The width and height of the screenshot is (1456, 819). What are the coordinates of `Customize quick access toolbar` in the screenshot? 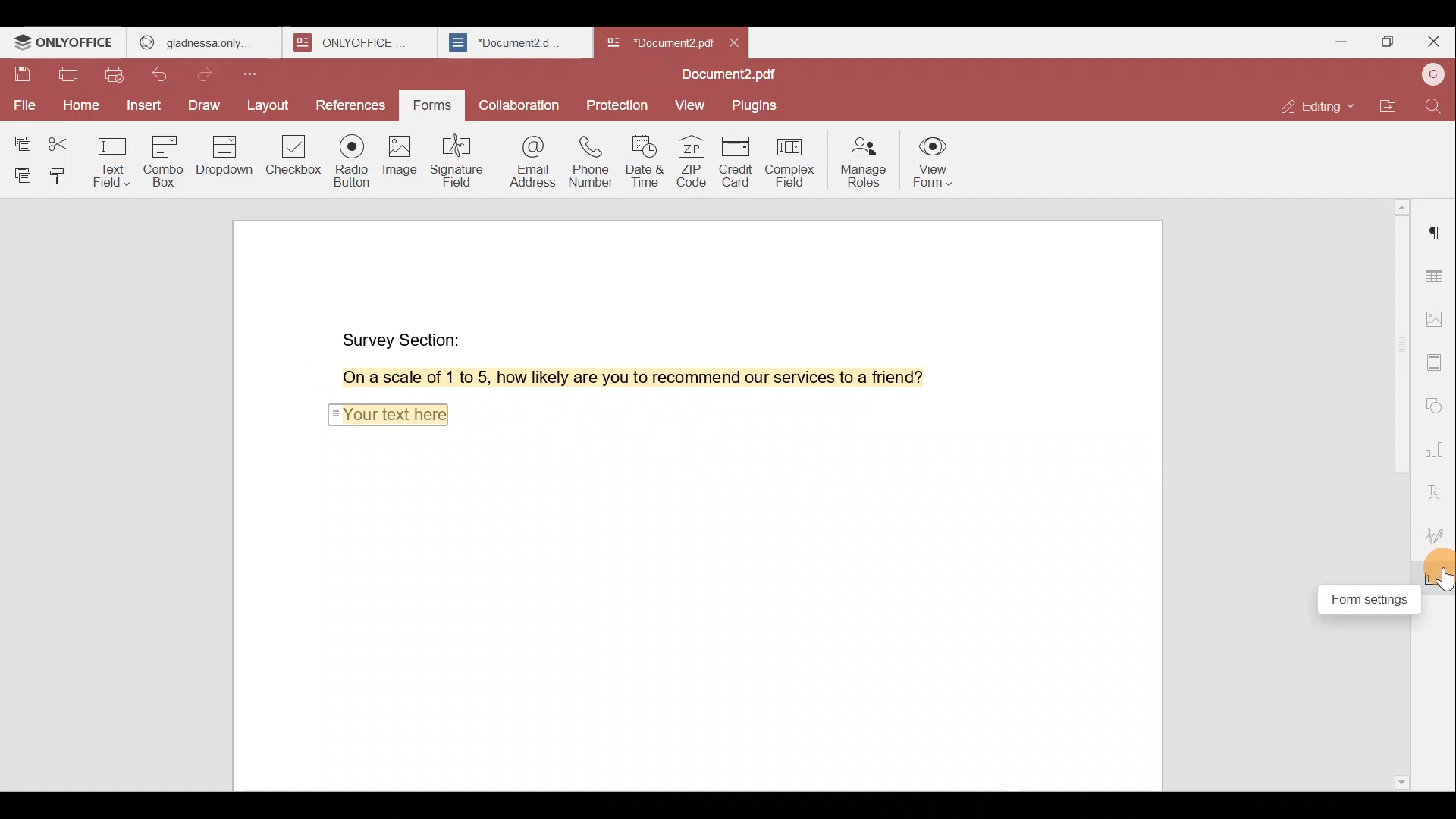 It's located at (256, 74).